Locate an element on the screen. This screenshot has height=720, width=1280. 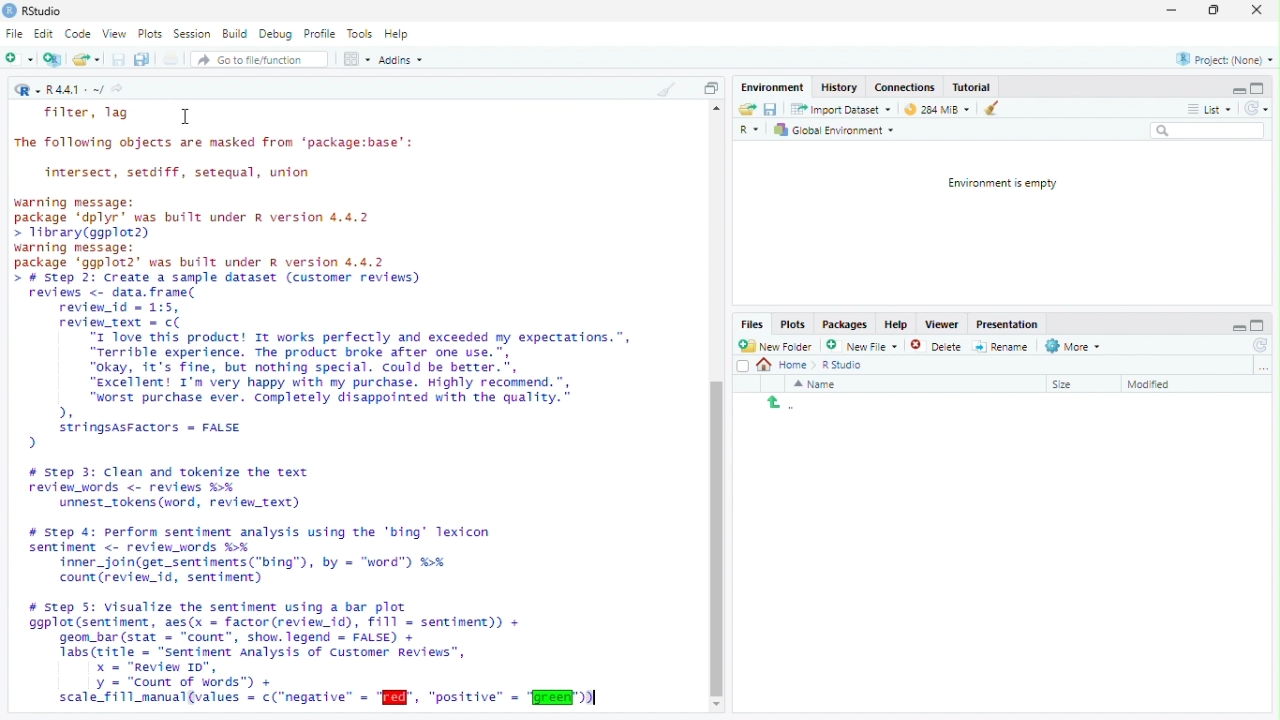
Workspace pane is located at coordinates (355, 60).